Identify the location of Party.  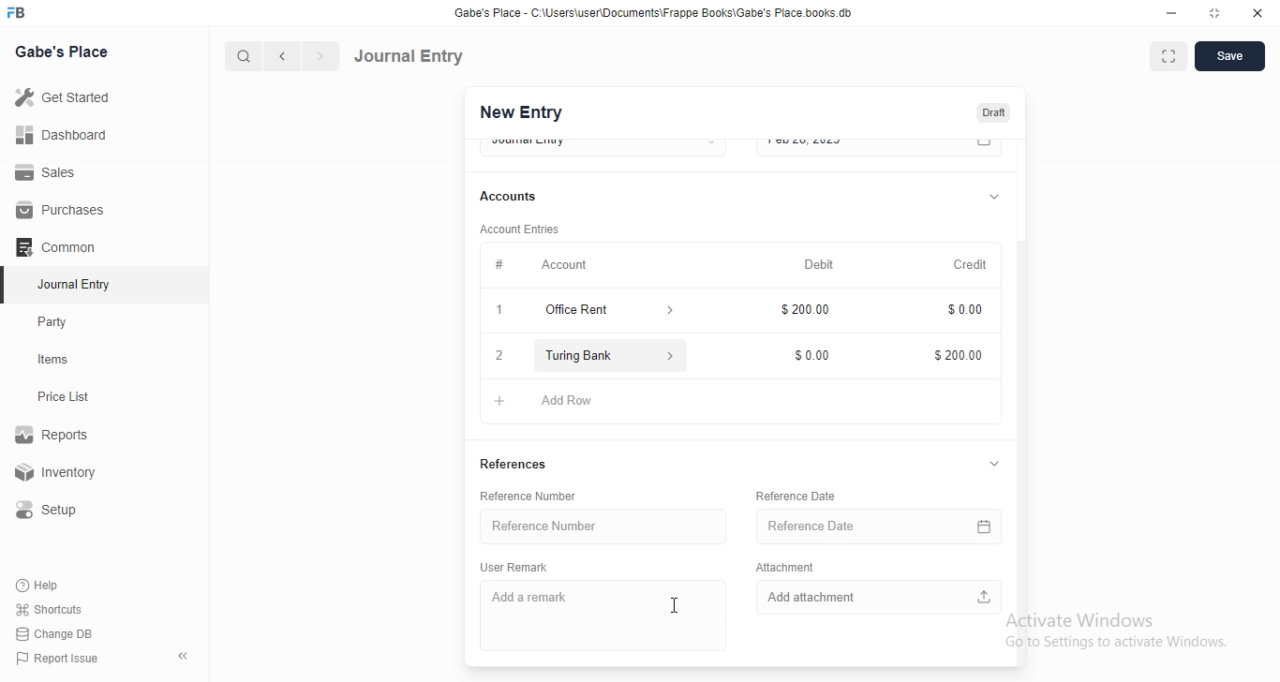
(57, 322).